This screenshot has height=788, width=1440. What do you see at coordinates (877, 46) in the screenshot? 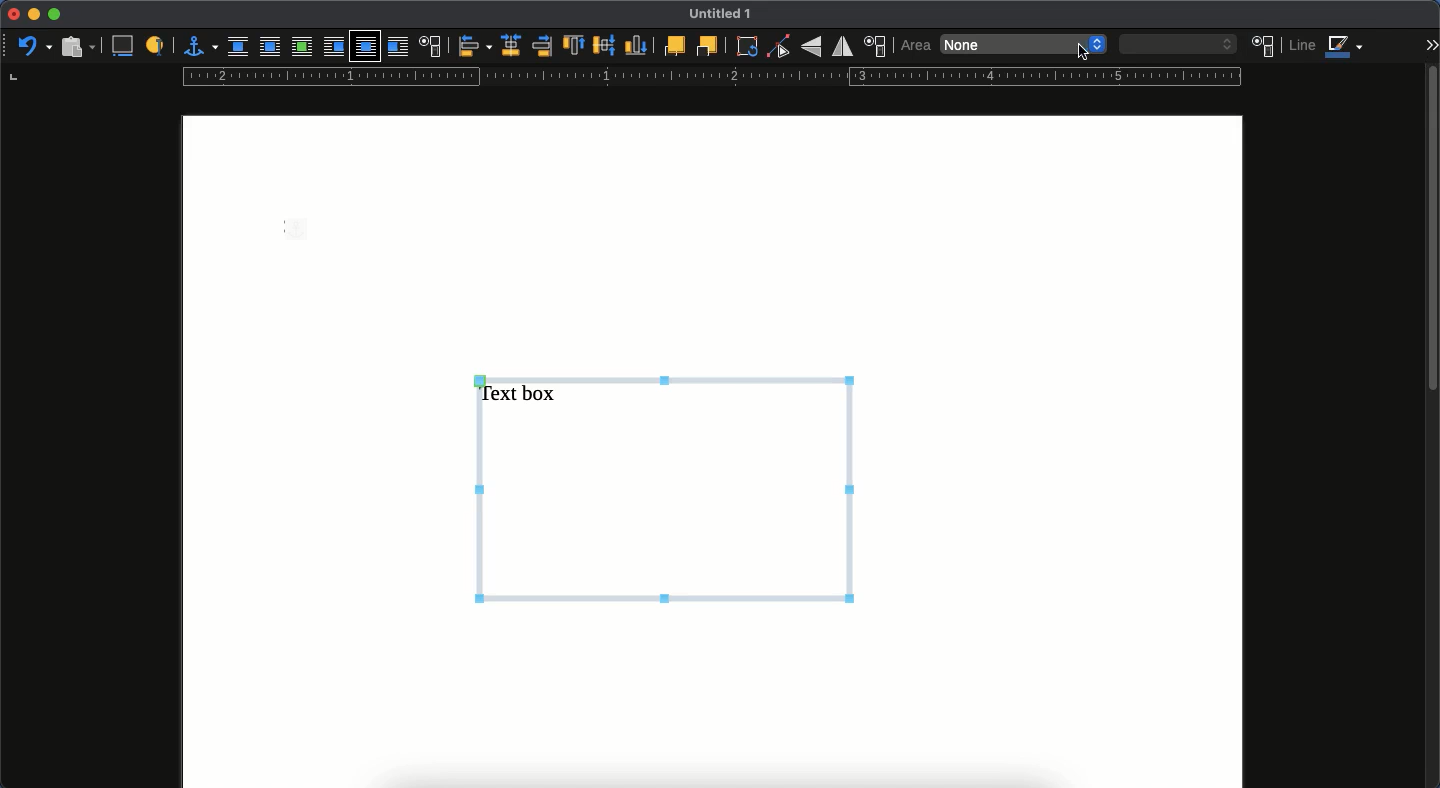
I see `position and size` at bounding box center [877, 46].